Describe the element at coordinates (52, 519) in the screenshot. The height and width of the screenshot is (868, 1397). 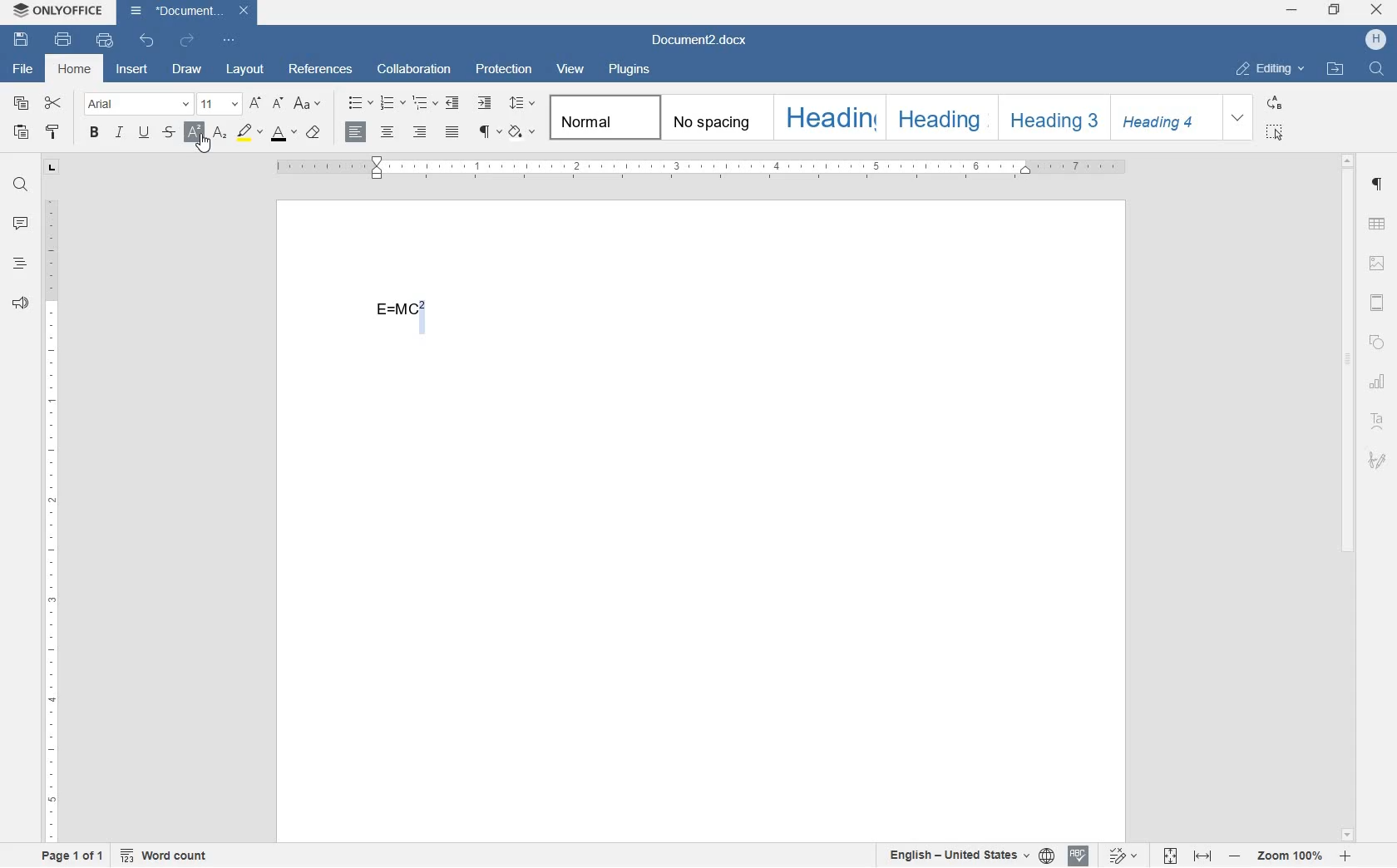
I see `ruler` at that location.